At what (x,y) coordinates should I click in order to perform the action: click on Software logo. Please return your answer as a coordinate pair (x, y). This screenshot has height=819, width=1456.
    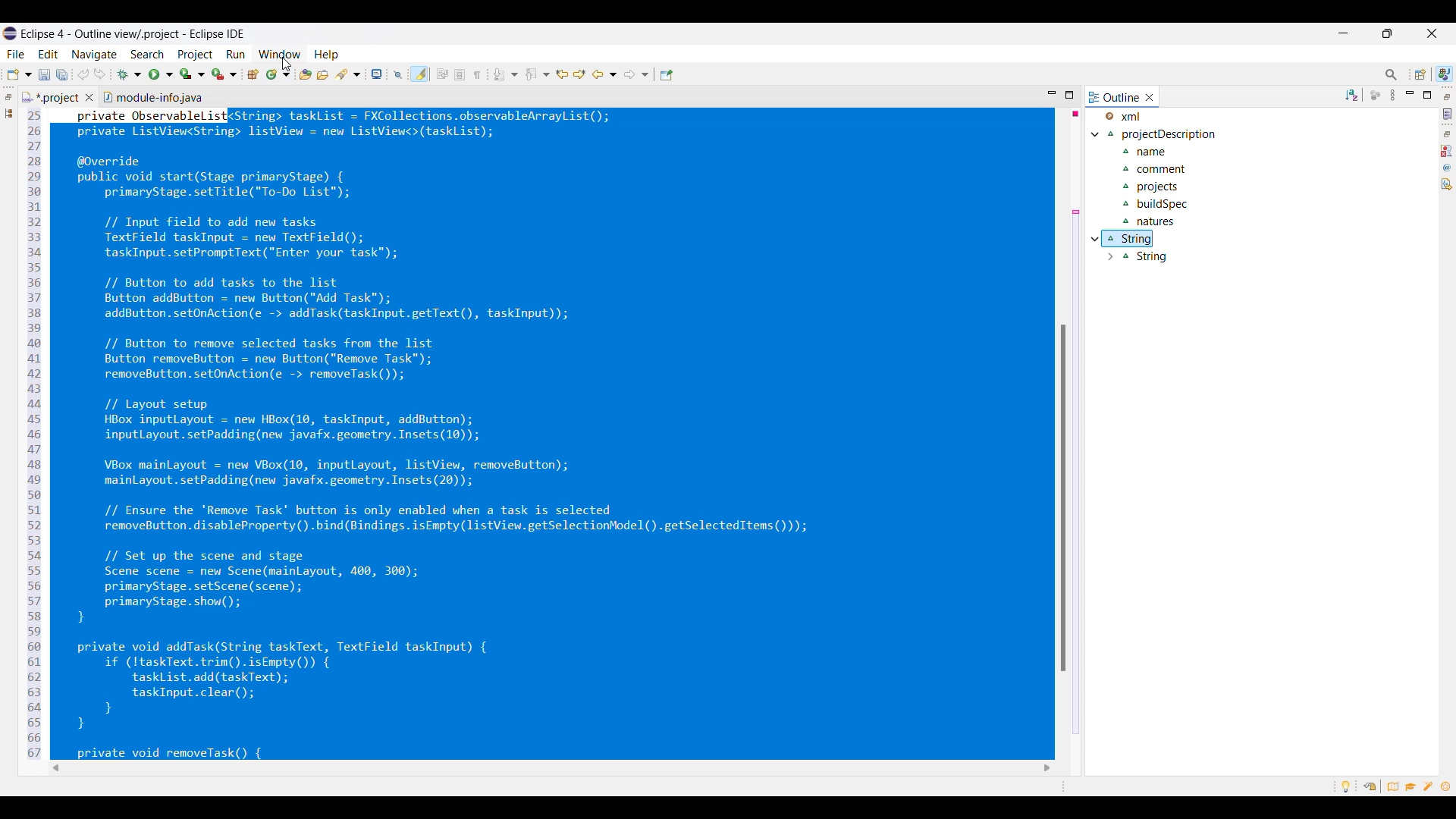
    Looking at the image, I should click on (10, 33).